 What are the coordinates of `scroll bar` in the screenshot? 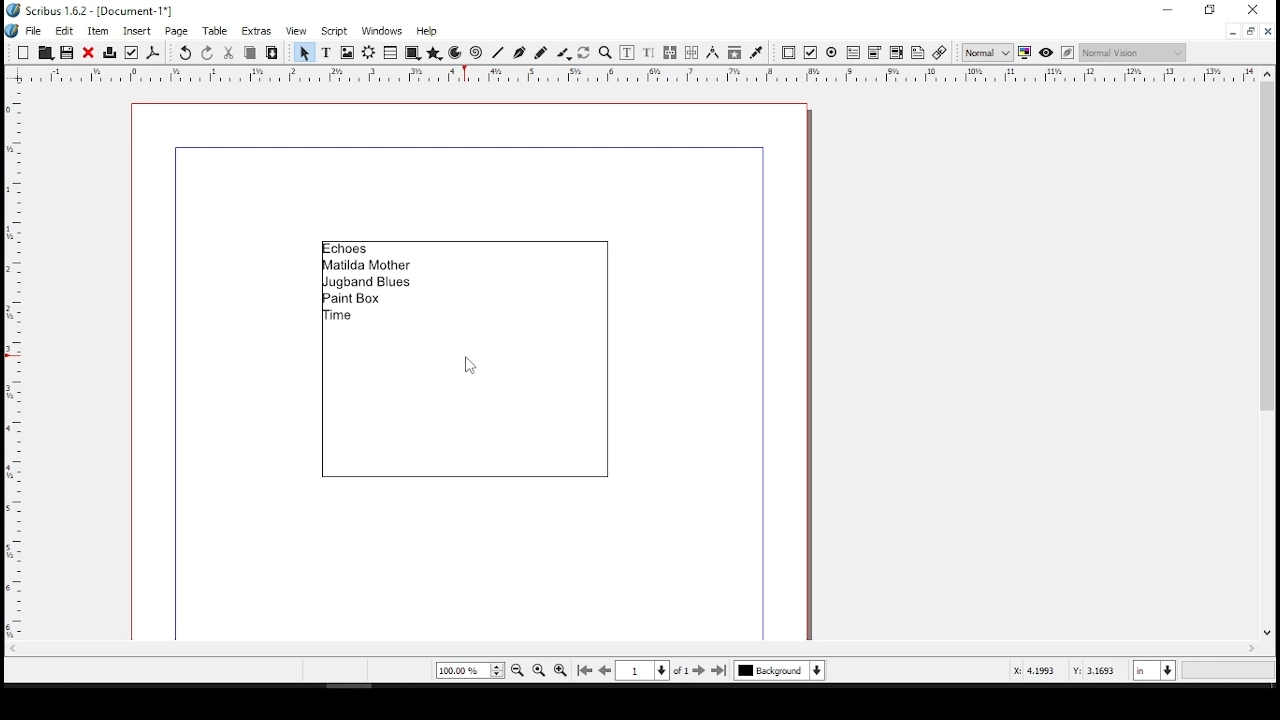 It's located at (627, 649).